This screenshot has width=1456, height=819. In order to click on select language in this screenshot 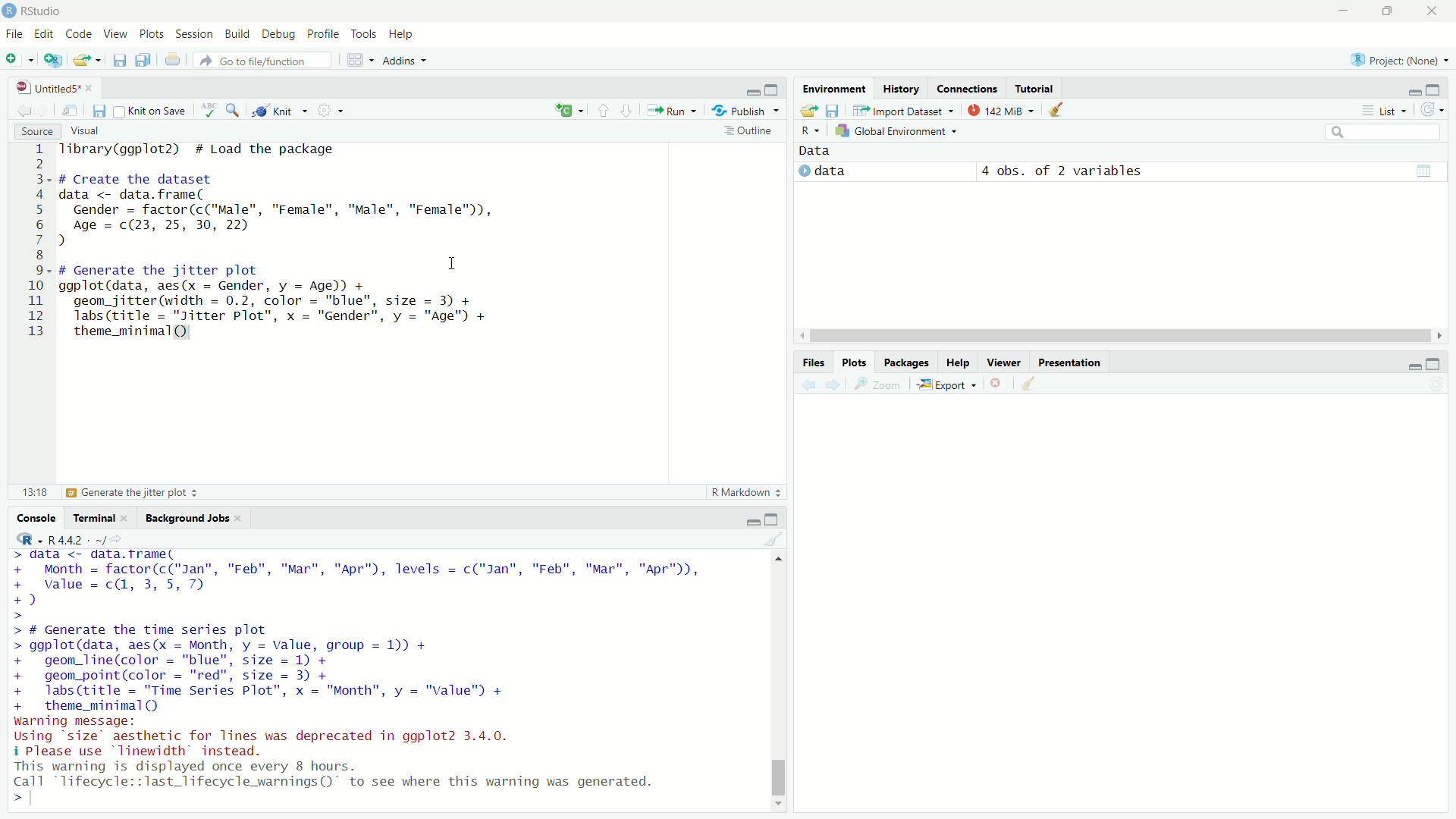, I will do `click(808, 132)`.